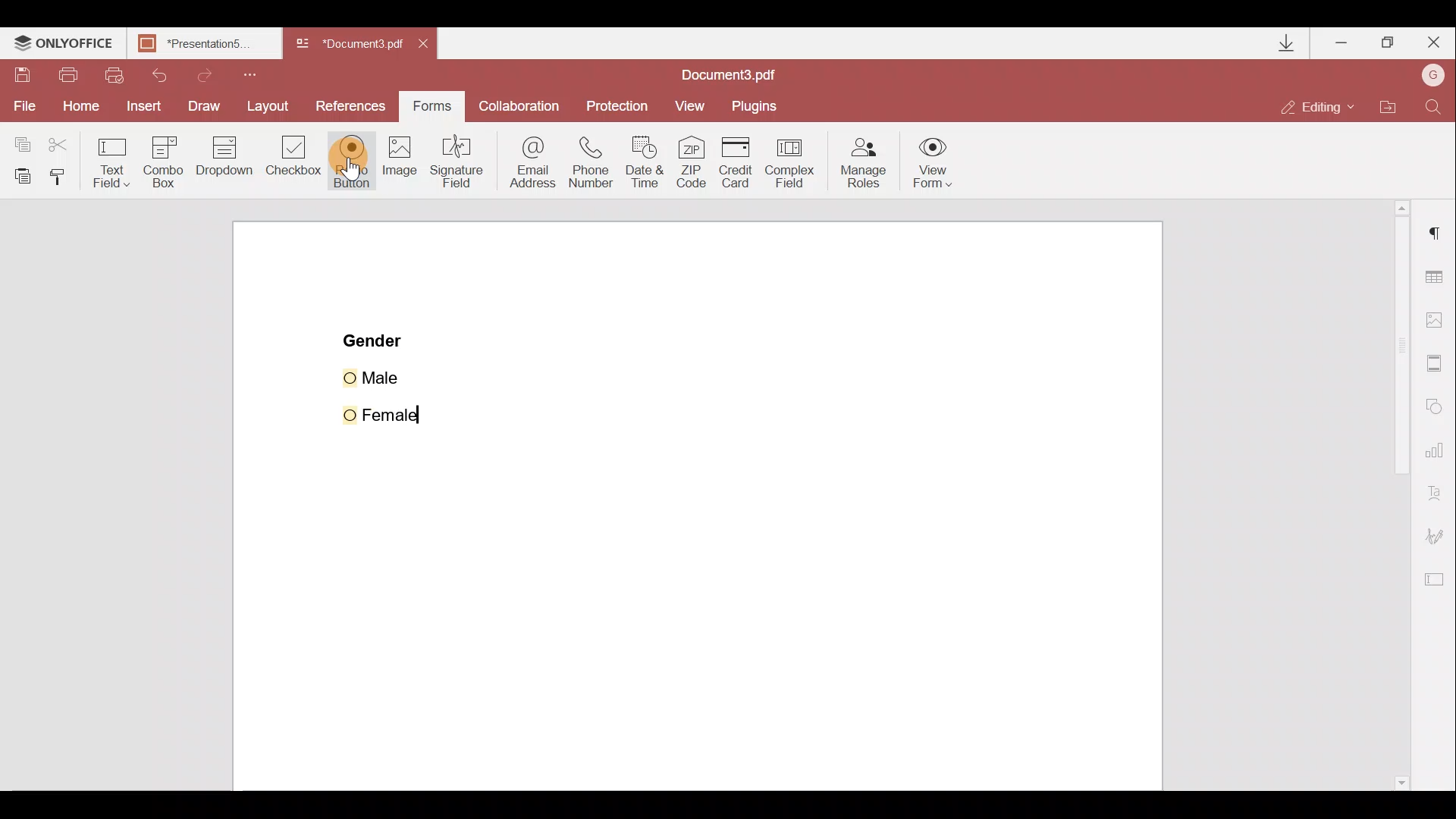  I want to click on Scroll bar, so click(1389, 496).